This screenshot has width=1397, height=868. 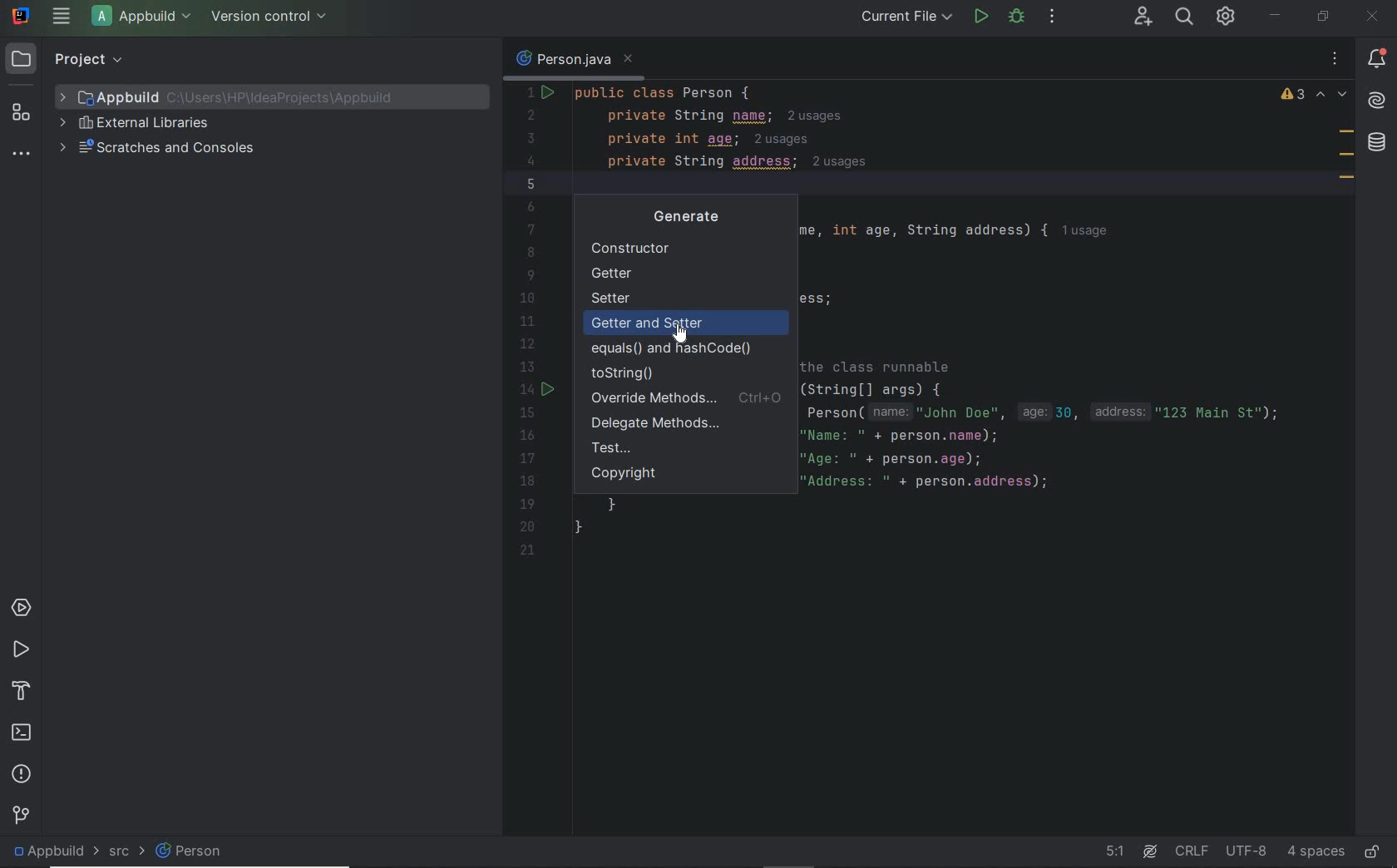 What do you see at coordinates (617, 298) in the screenshot?
I see `Setter` at bounding box center [617, 298].